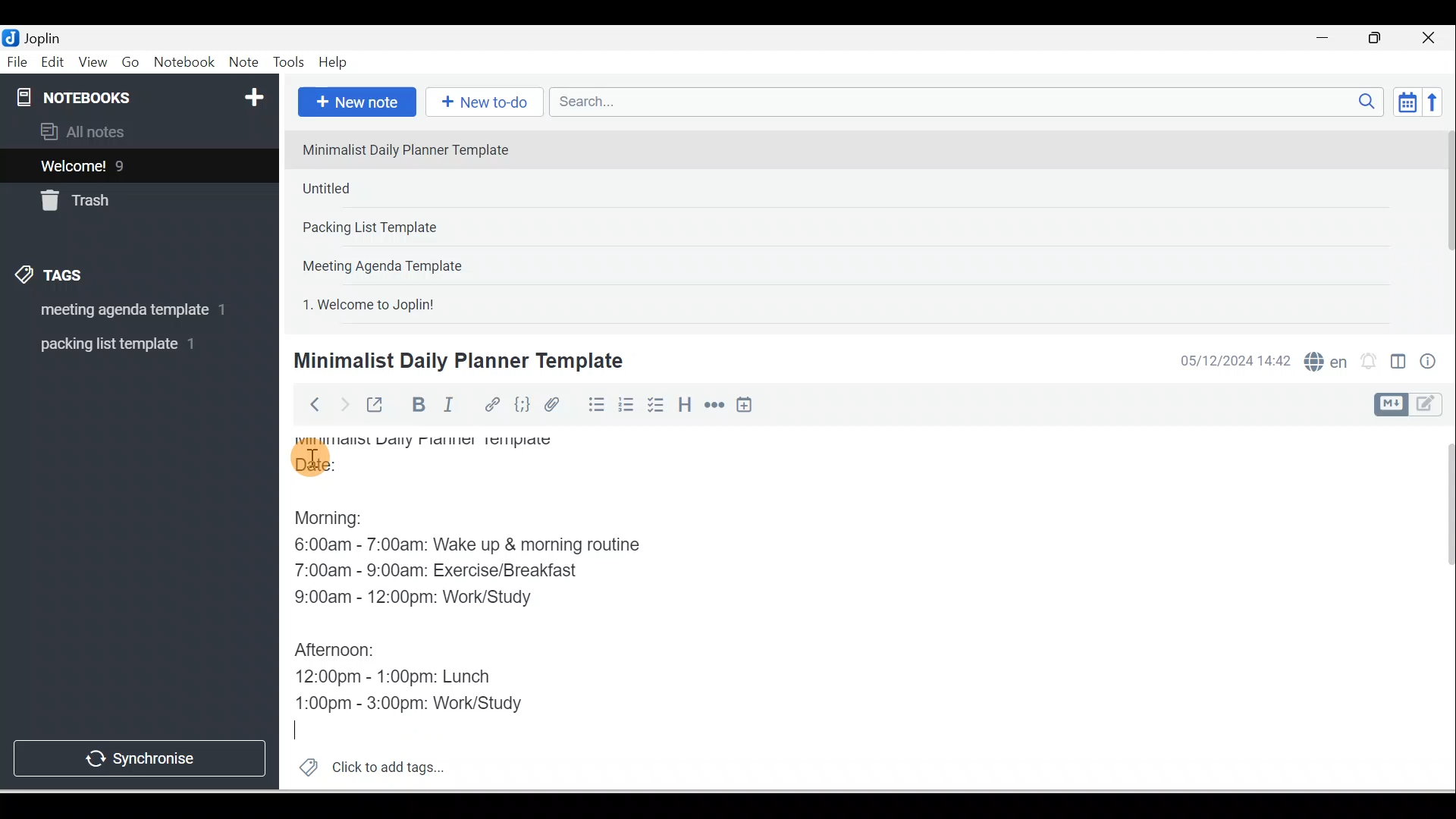  I want to click on Toggle external editing, so click(377, 408).